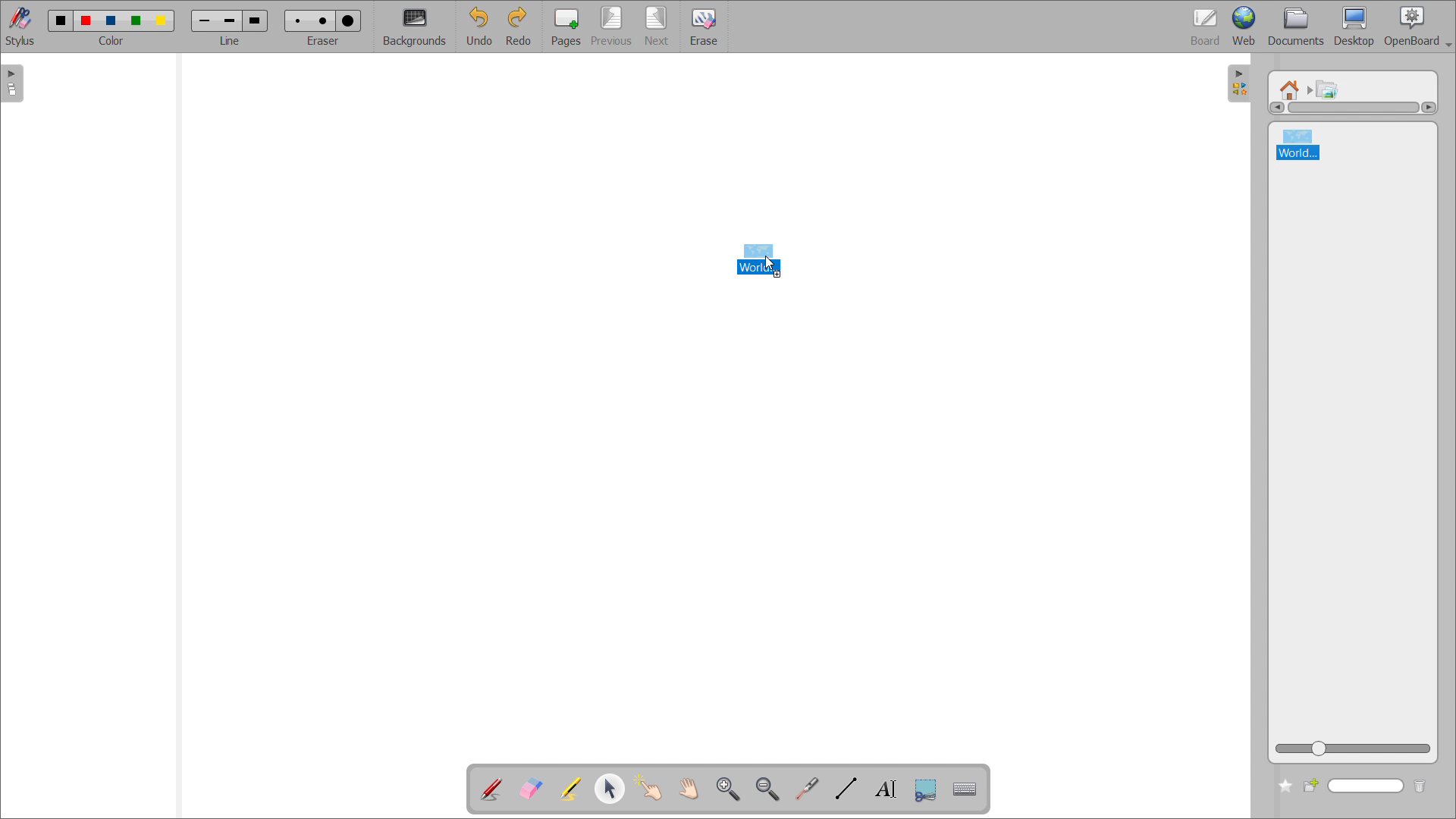  What do you see at coordinates (927, 789) in the screenshot?
I see `capture part of the screen` at bounding box center [927, 789].